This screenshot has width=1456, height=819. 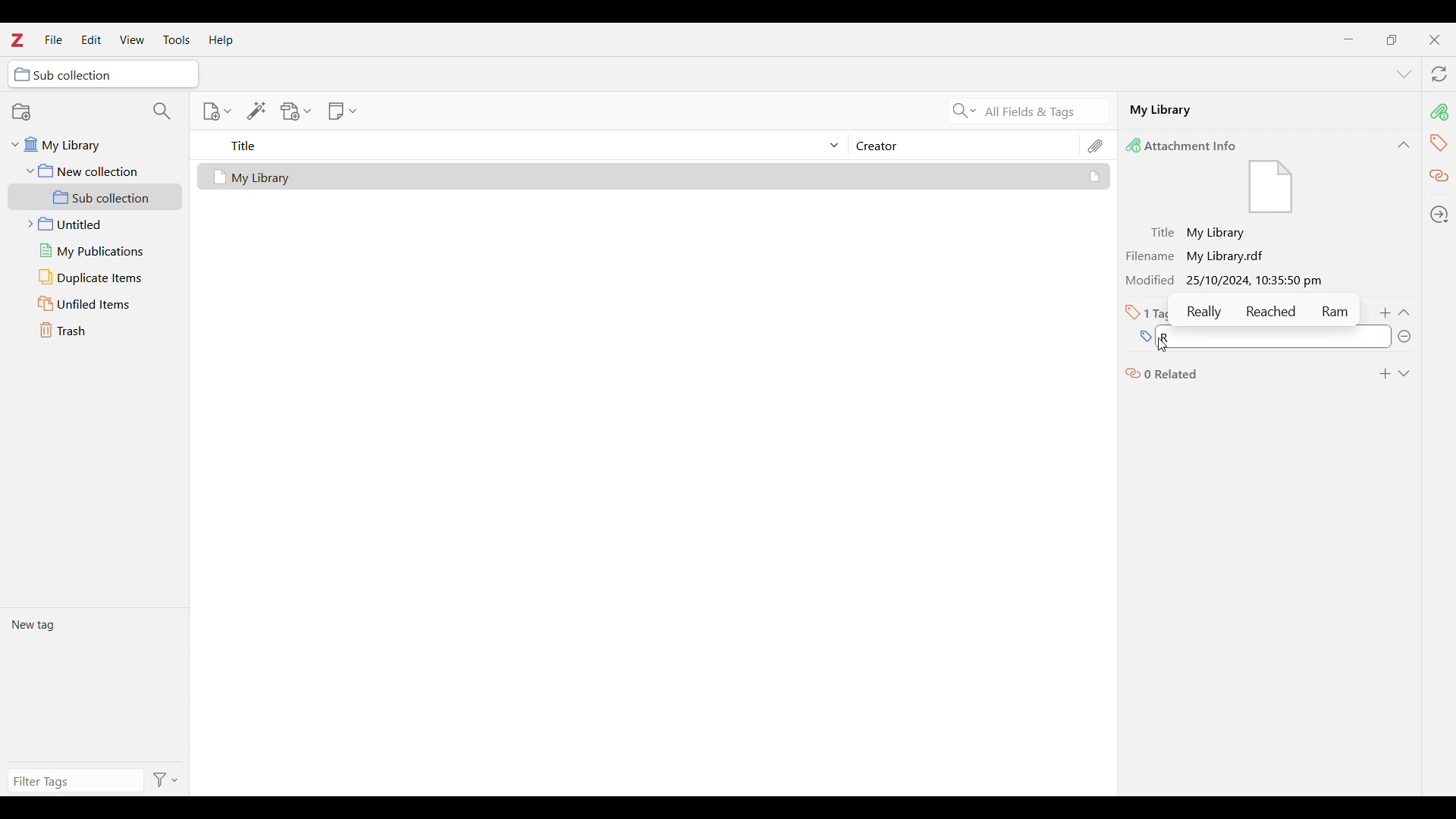 I want to click on Really Reached Ram, so click(x=1268, y=311).